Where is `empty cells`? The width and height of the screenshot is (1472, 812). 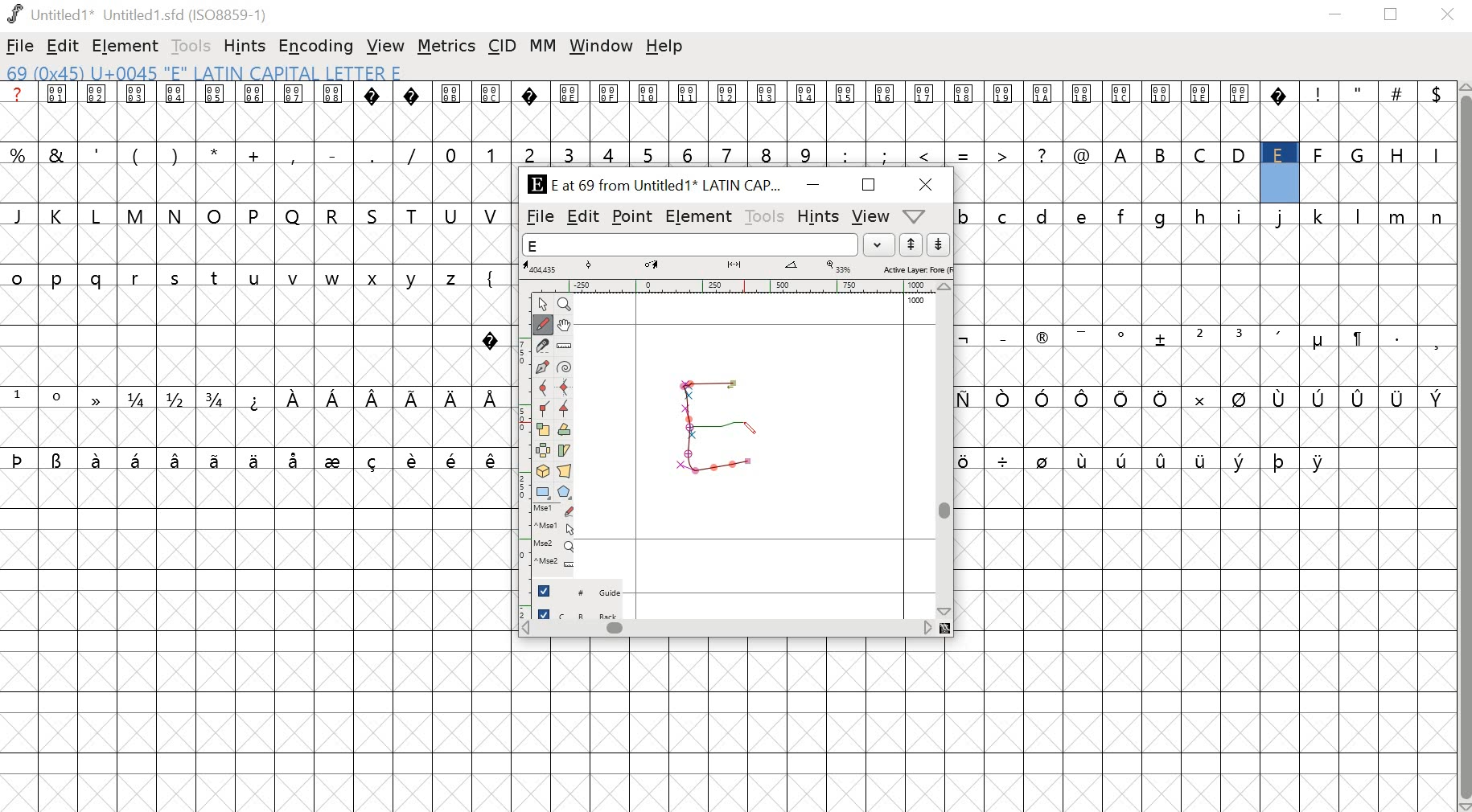 empty cells is located at coordinates (736, 726).